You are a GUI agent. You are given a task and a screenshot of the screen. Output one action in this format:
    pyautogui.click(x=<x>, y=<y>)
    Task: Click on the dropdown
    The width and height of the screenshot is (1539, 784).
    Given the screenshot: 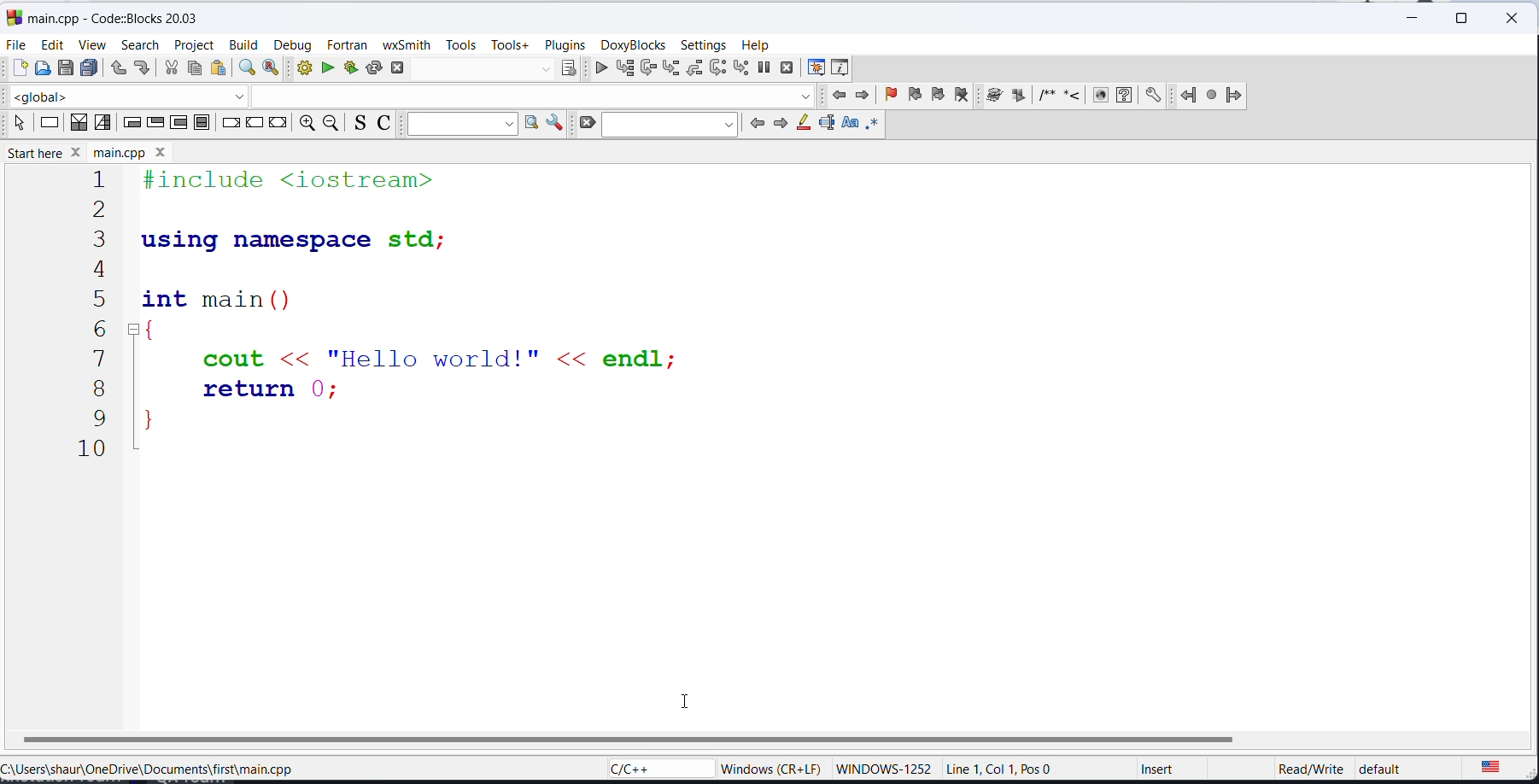 What is the action you would take?
    pyautogui.click(x=806, y=97)
    